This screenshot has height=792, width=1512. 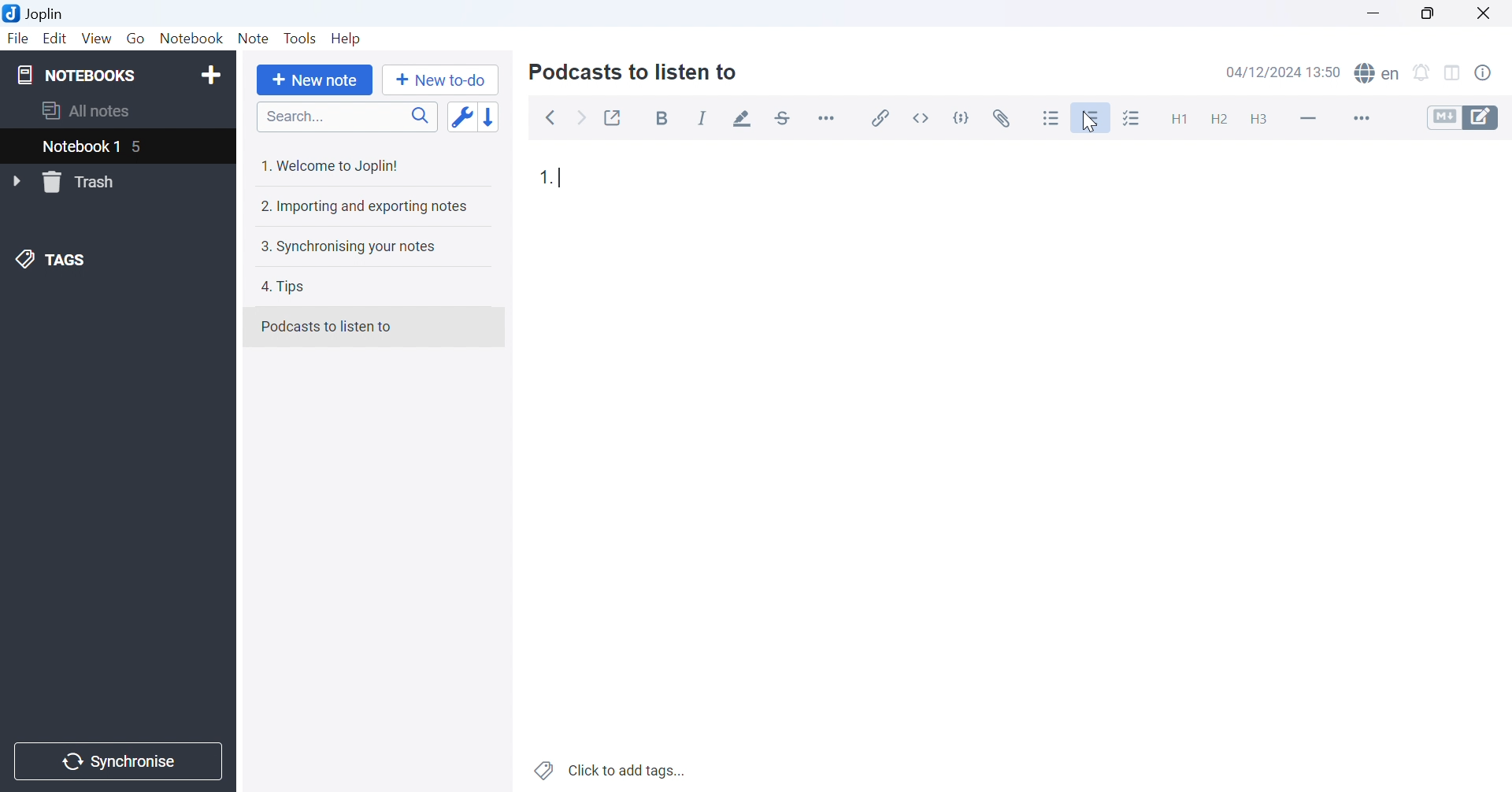 What do you see at coordinates (36, 13) in the screenshot?
I see `Joplin` at bounding box center [36, 13].